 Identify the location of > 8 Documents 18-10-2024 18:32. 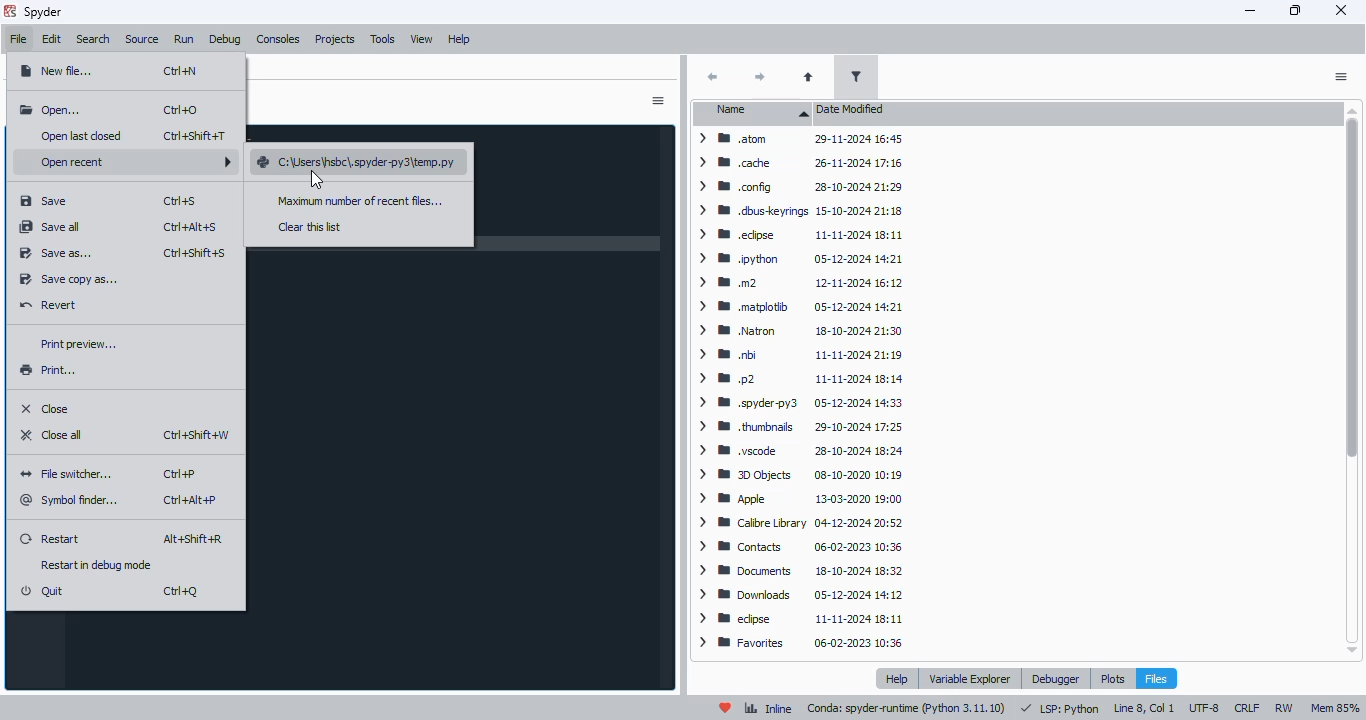
(797, 571).